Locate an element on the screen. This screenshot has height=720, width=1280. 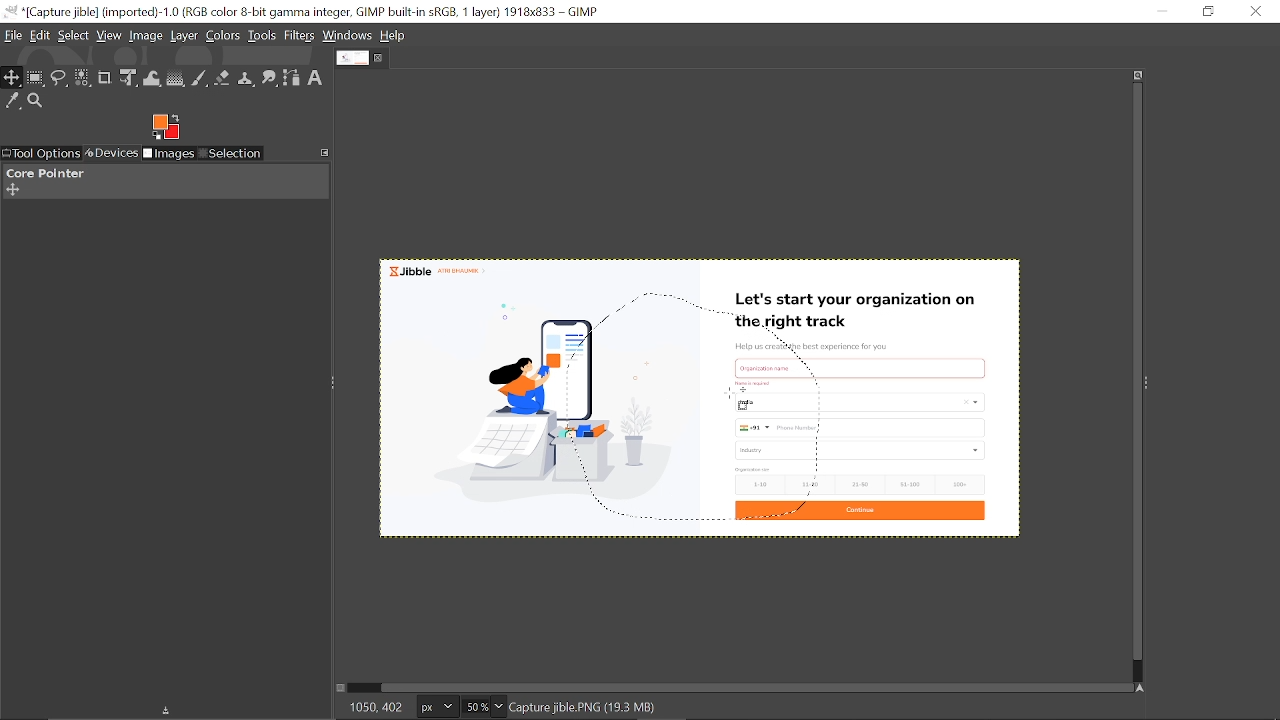
Horizontal scrollbar is located at coordinates (758, 687).